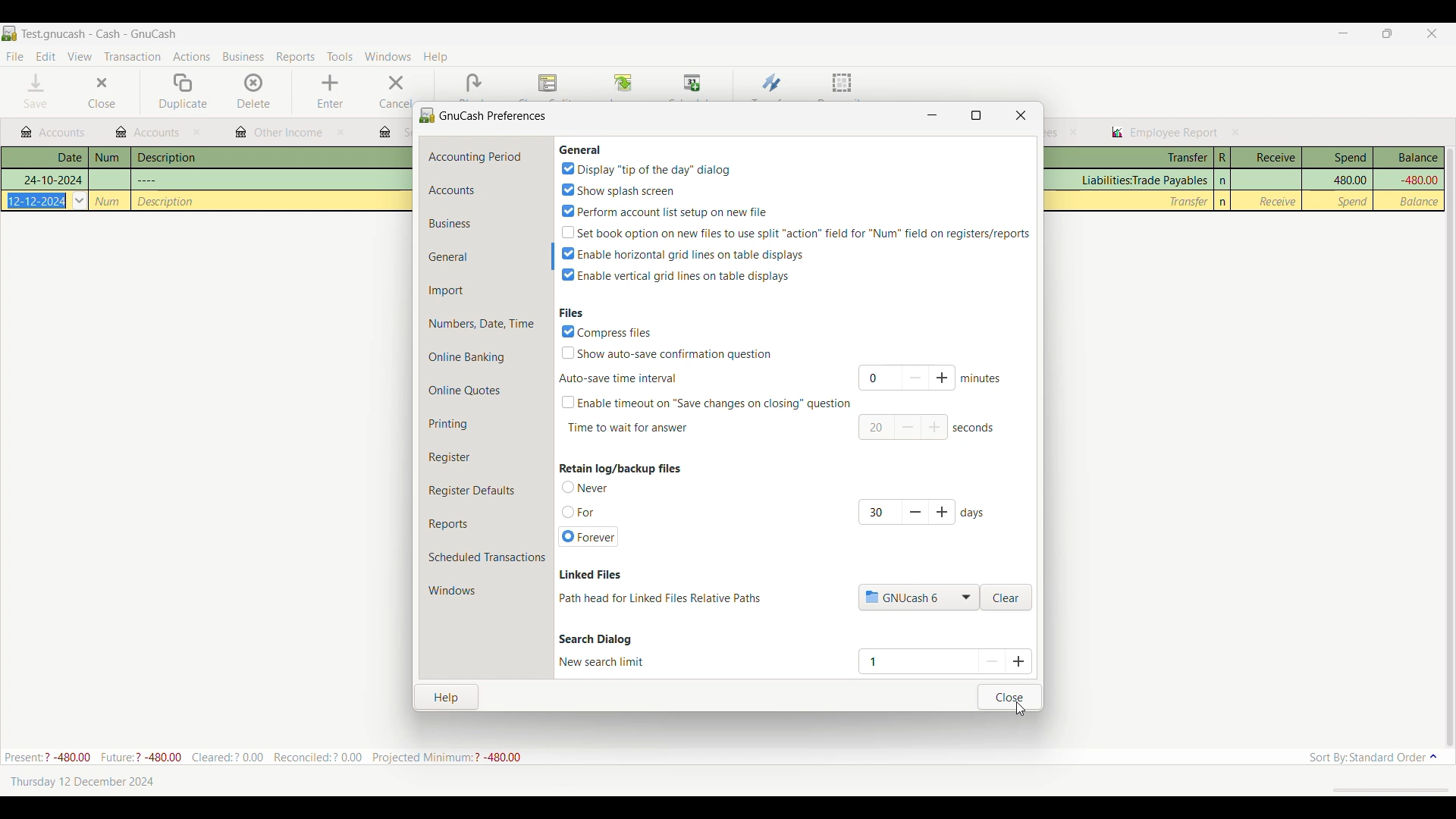  I want to click on Increase/Decrease number, so click(1006, 661).